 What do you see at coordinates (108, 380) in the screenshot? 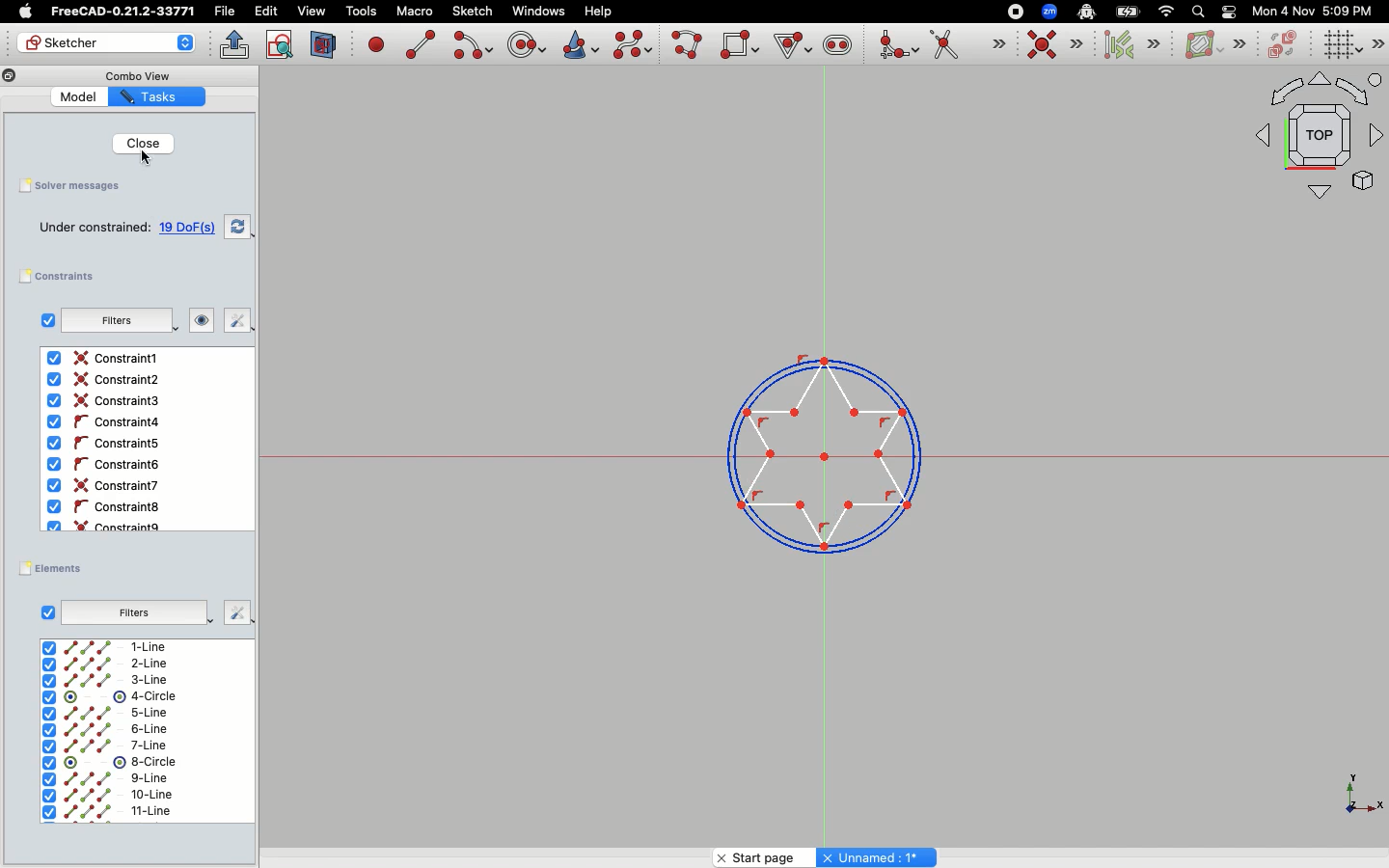
I see `Constraint2` at bounding box center [108, 380].